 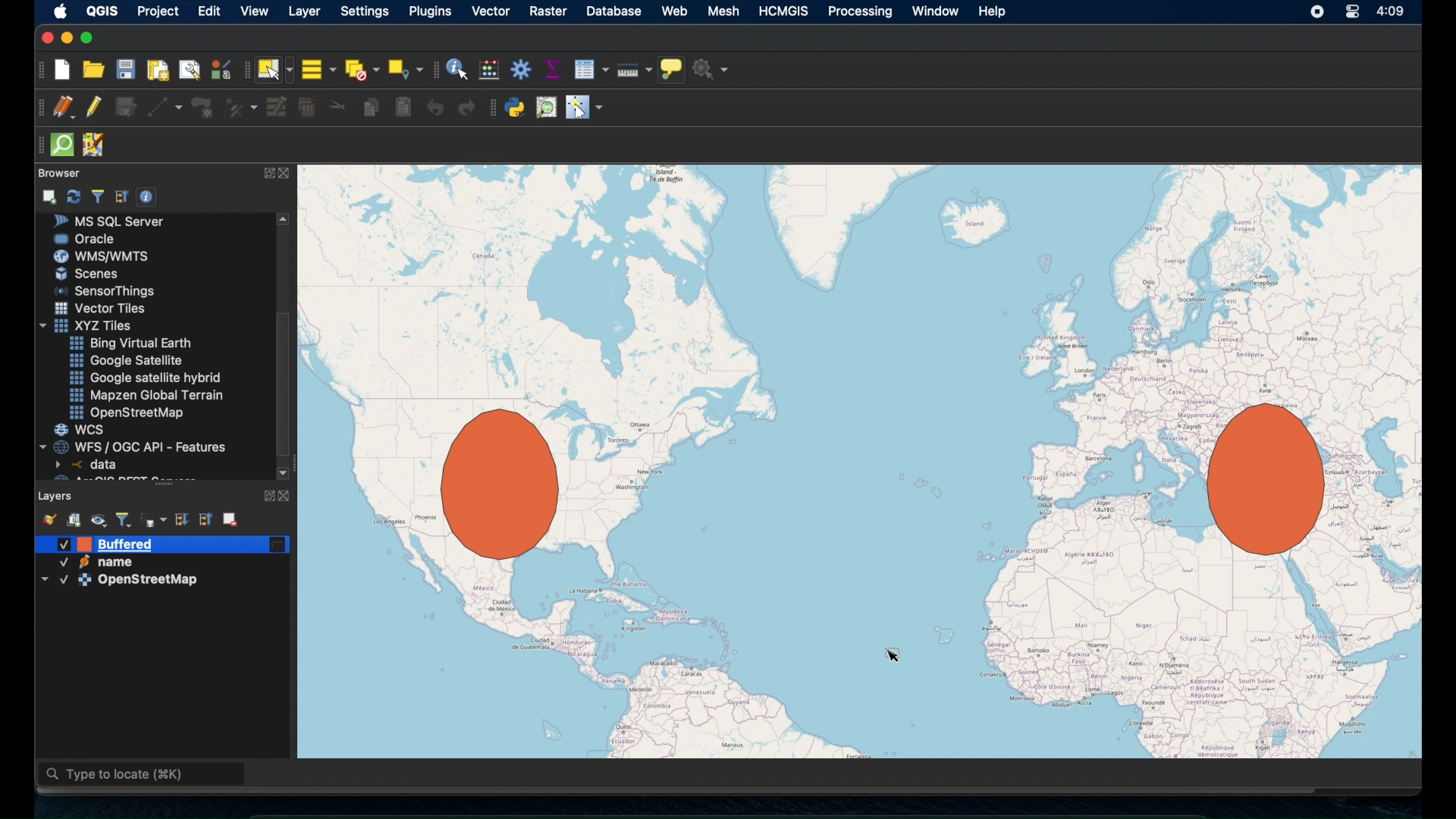 I want to click on save project, so click(x=126, y=71).